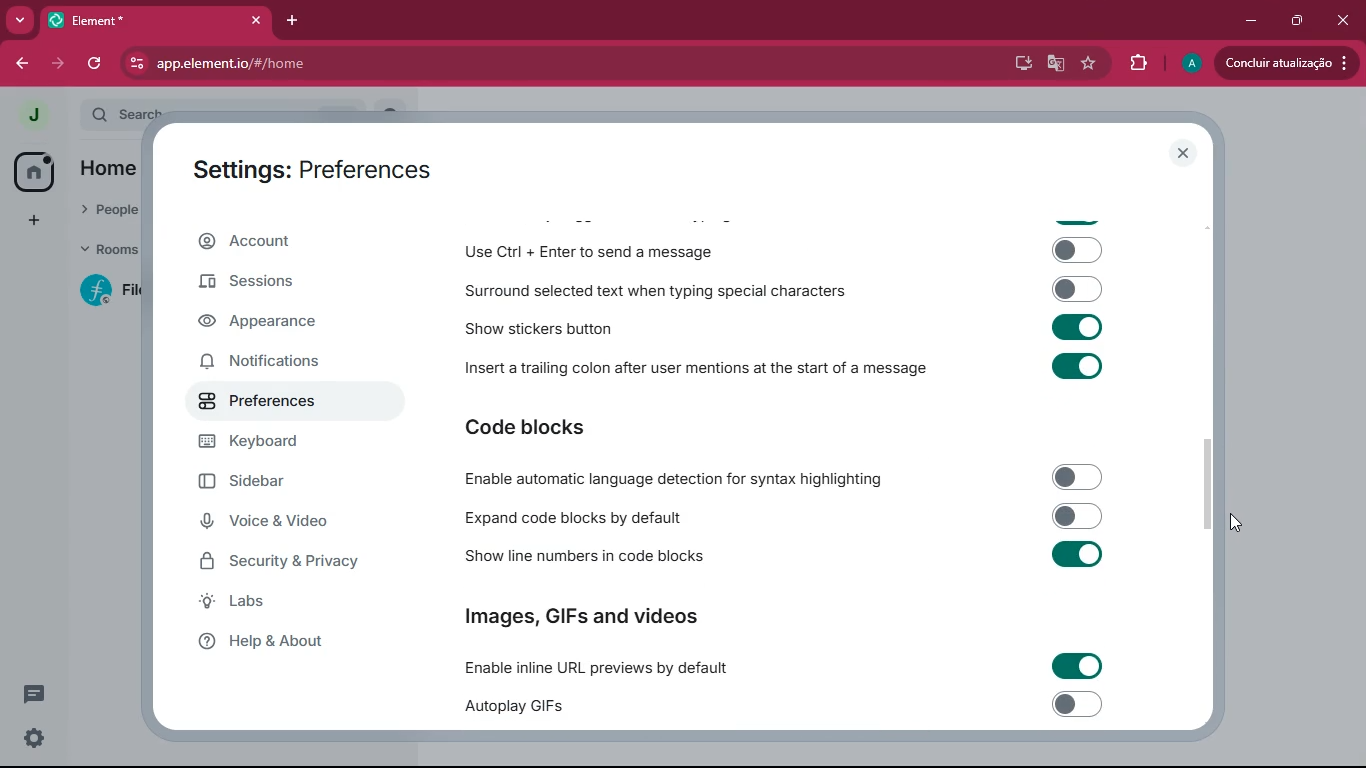  Describe the element at coordinates (62, 63) in the screenshot. I see `forward` at that location.